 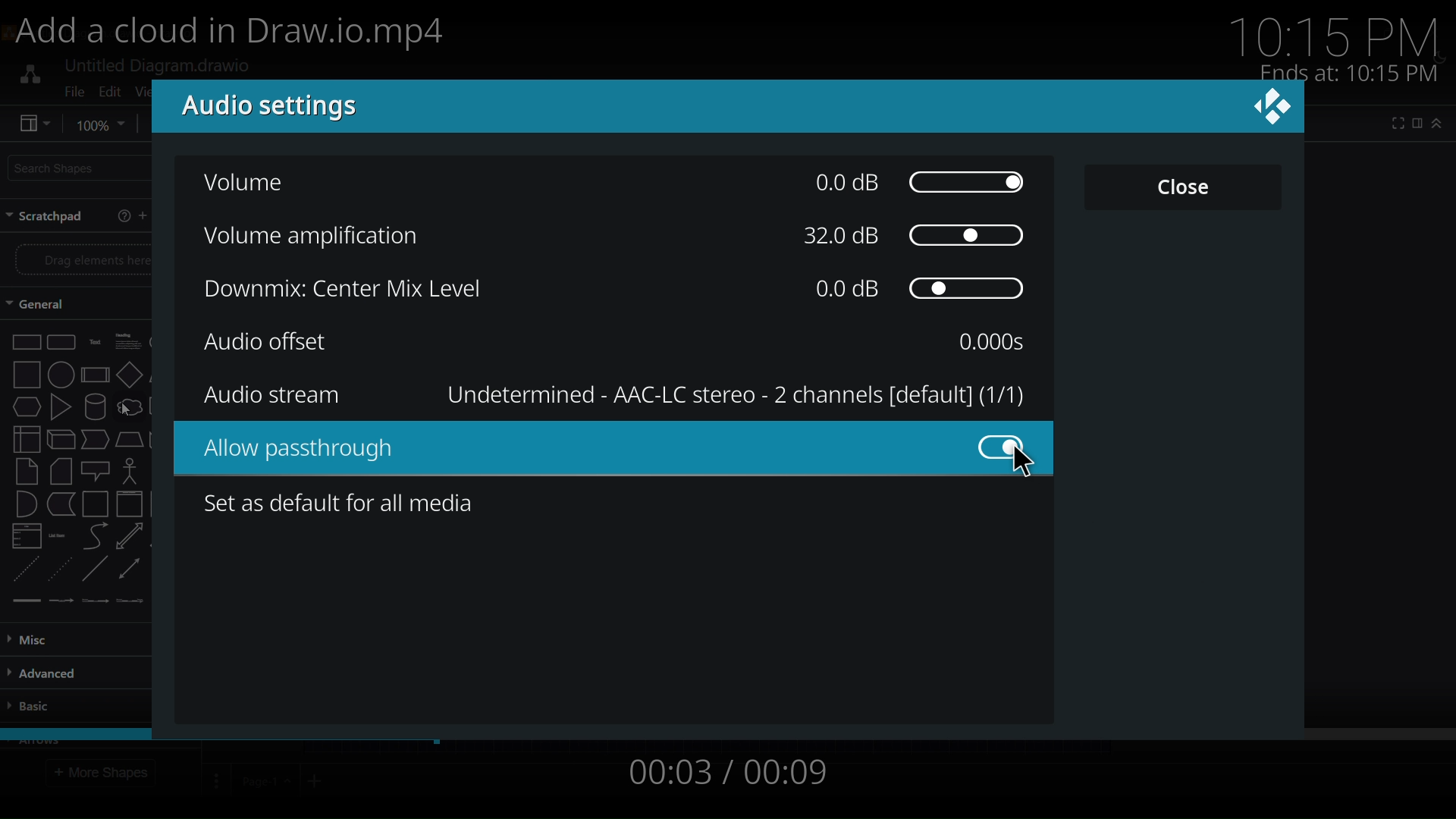 I want to click on 00dB , so click(x=918, y=181).